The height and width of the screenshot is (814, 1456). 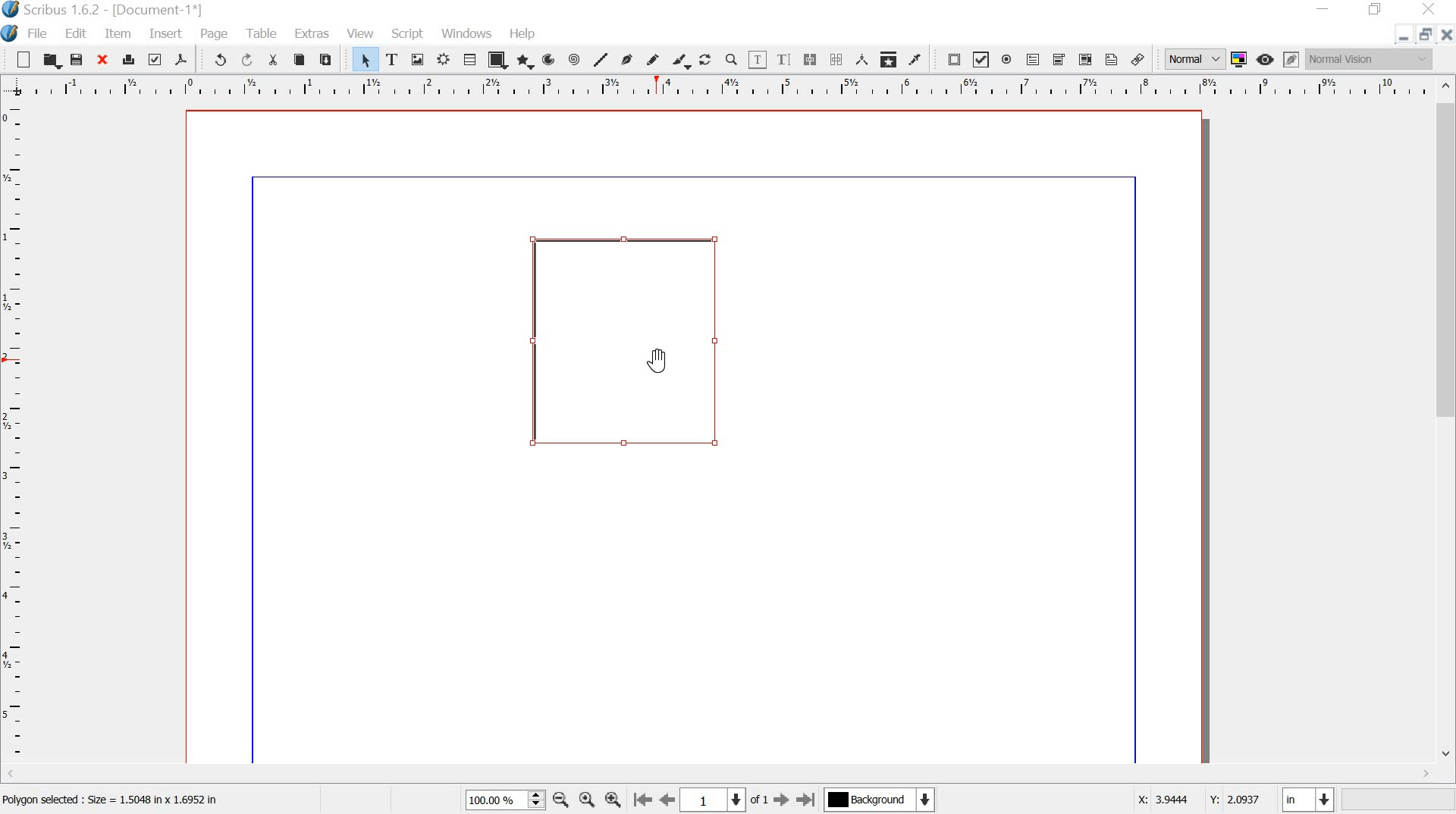 What do you see at coordinates (215, 33) in the screenshot?
I see `page` at bounding box center [215, 33].